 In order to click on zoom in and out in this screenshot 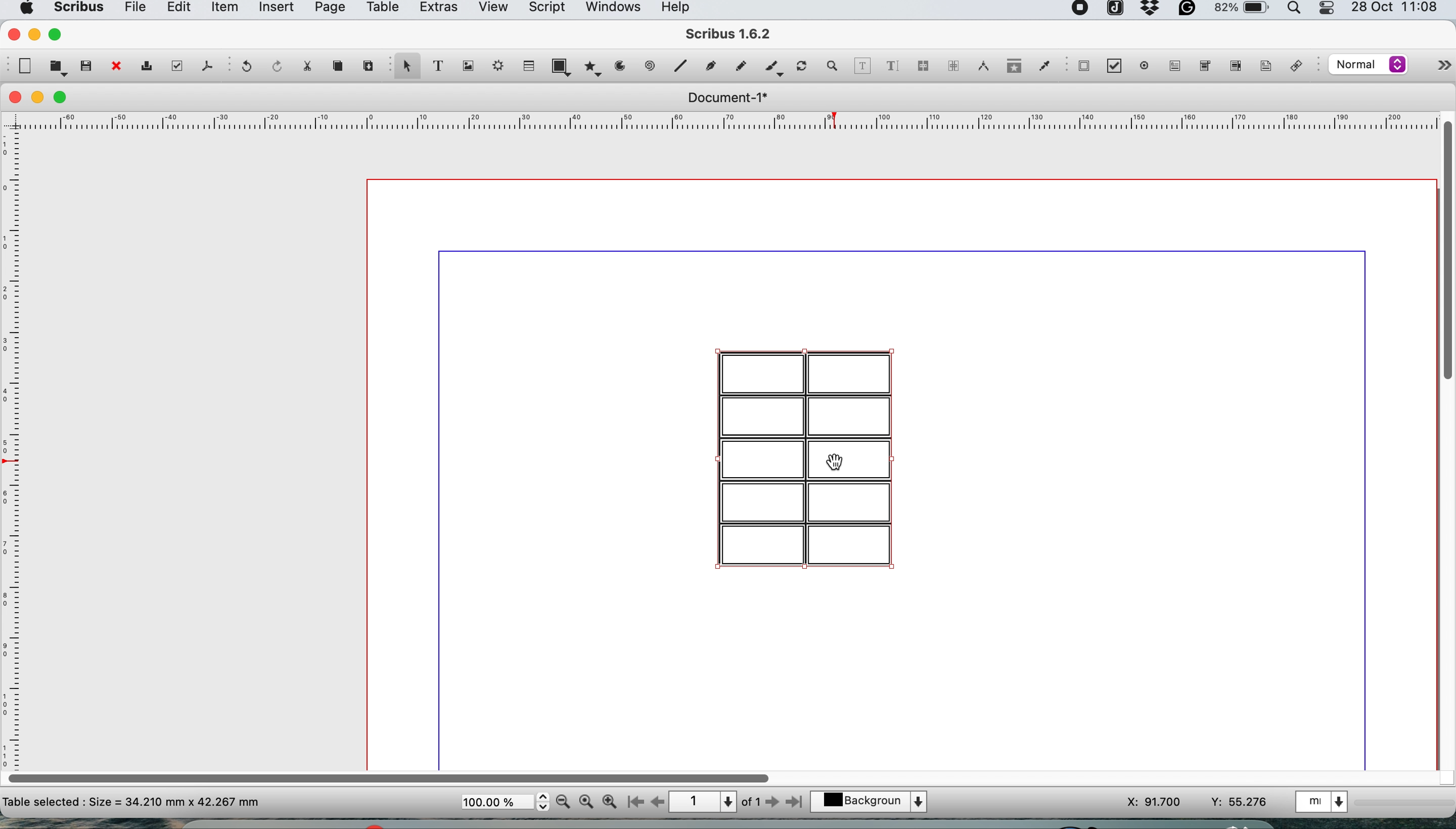, I will do `click(833, 66)`.